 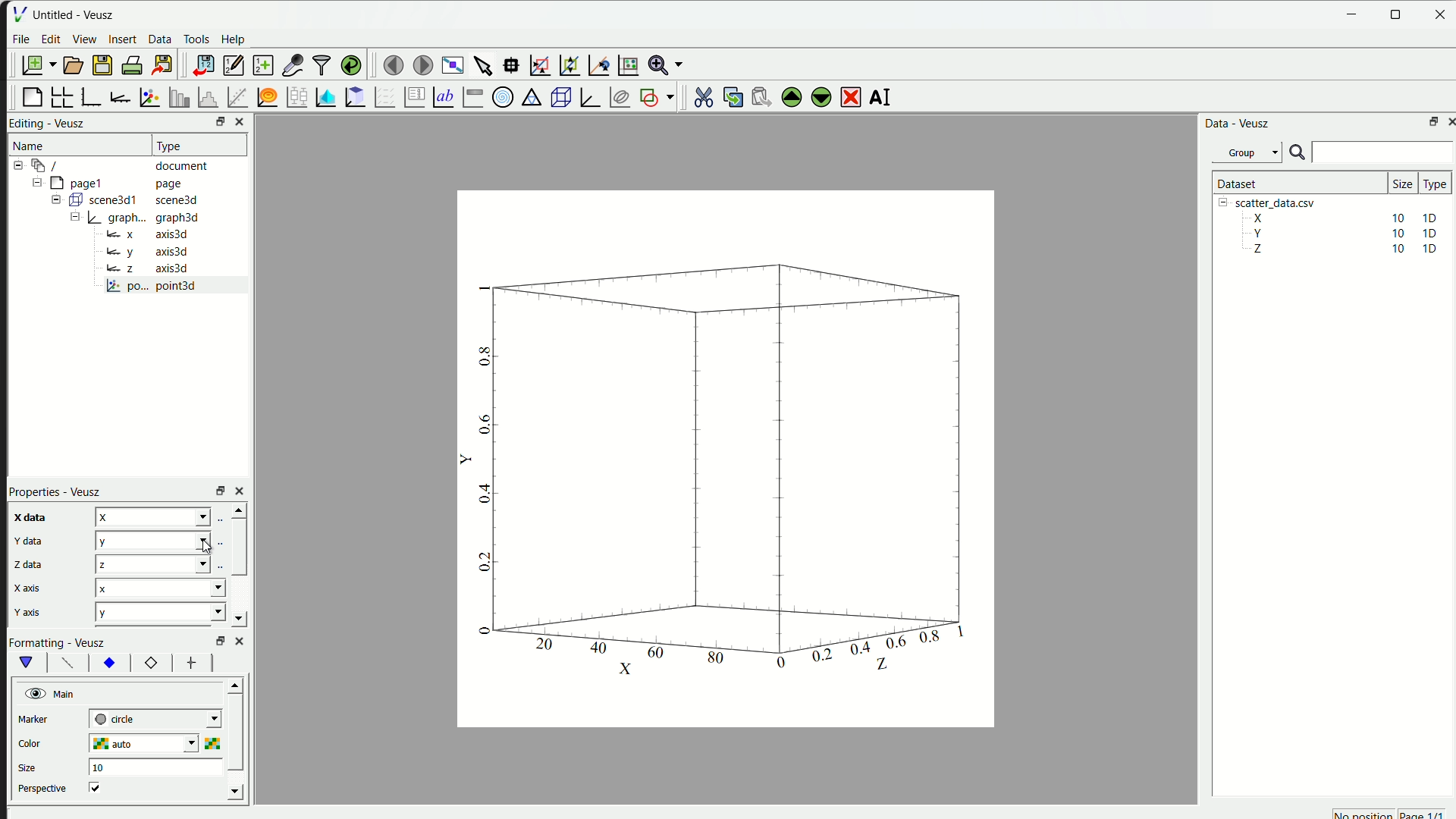 I want to click on add the shap to the plot, so click(x=656, y=96).